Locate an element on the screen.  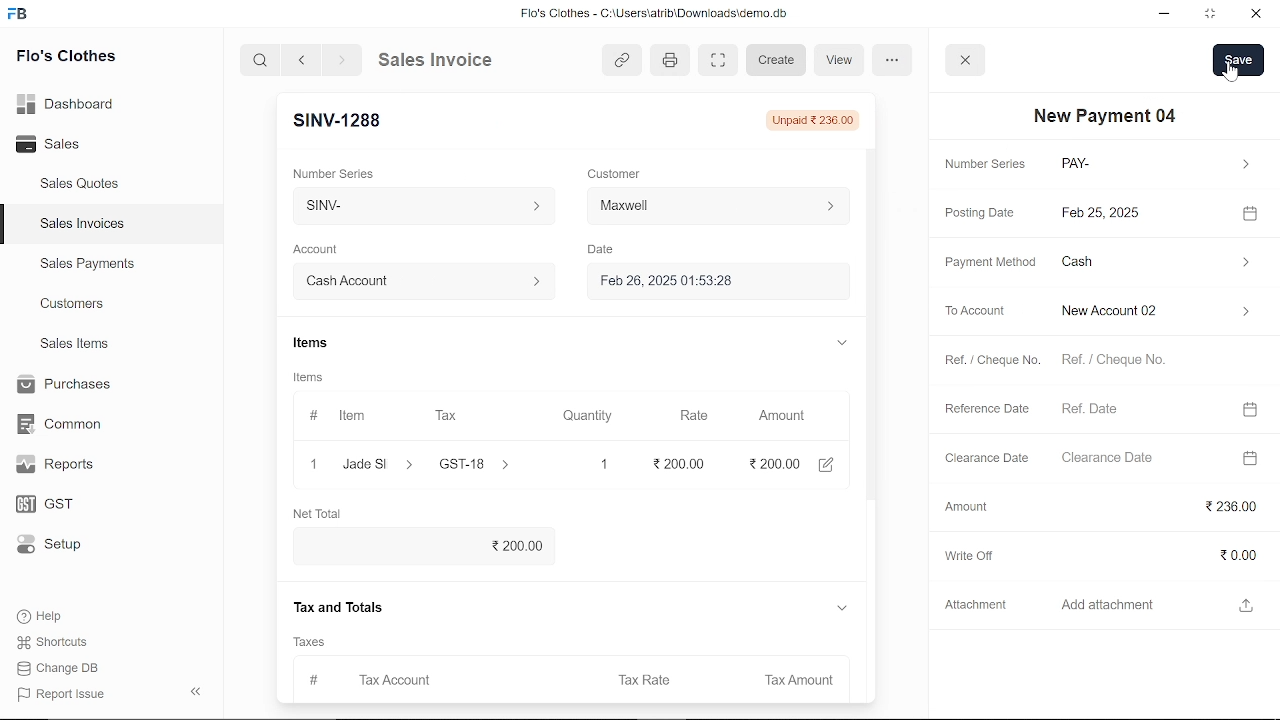
Amount is located at coordinates (967, 505).